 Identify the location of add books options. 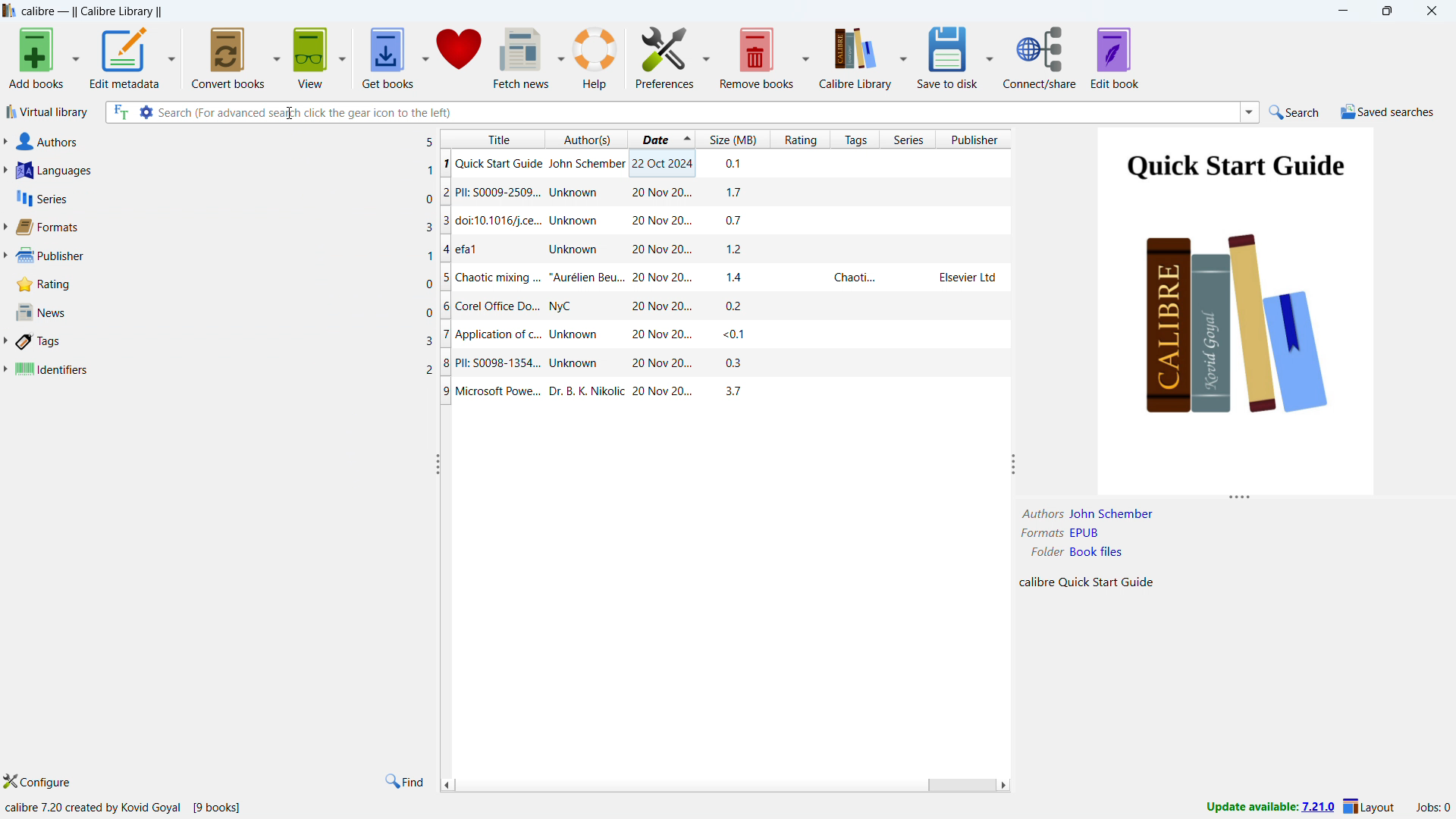
(76, 55).